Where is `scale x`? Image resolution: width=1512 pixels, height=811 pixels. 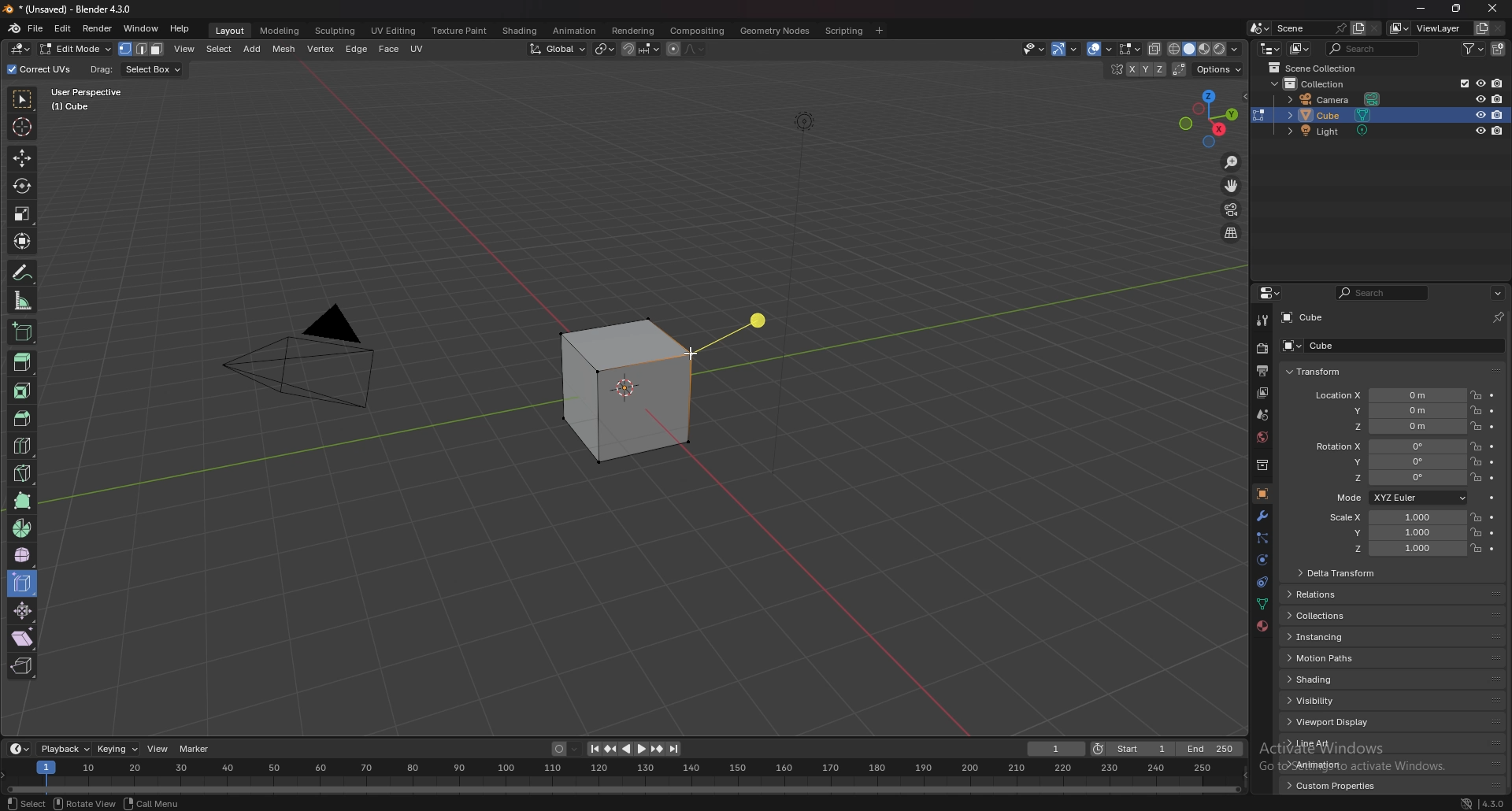
scale x is located at coordinates (1394, 517).